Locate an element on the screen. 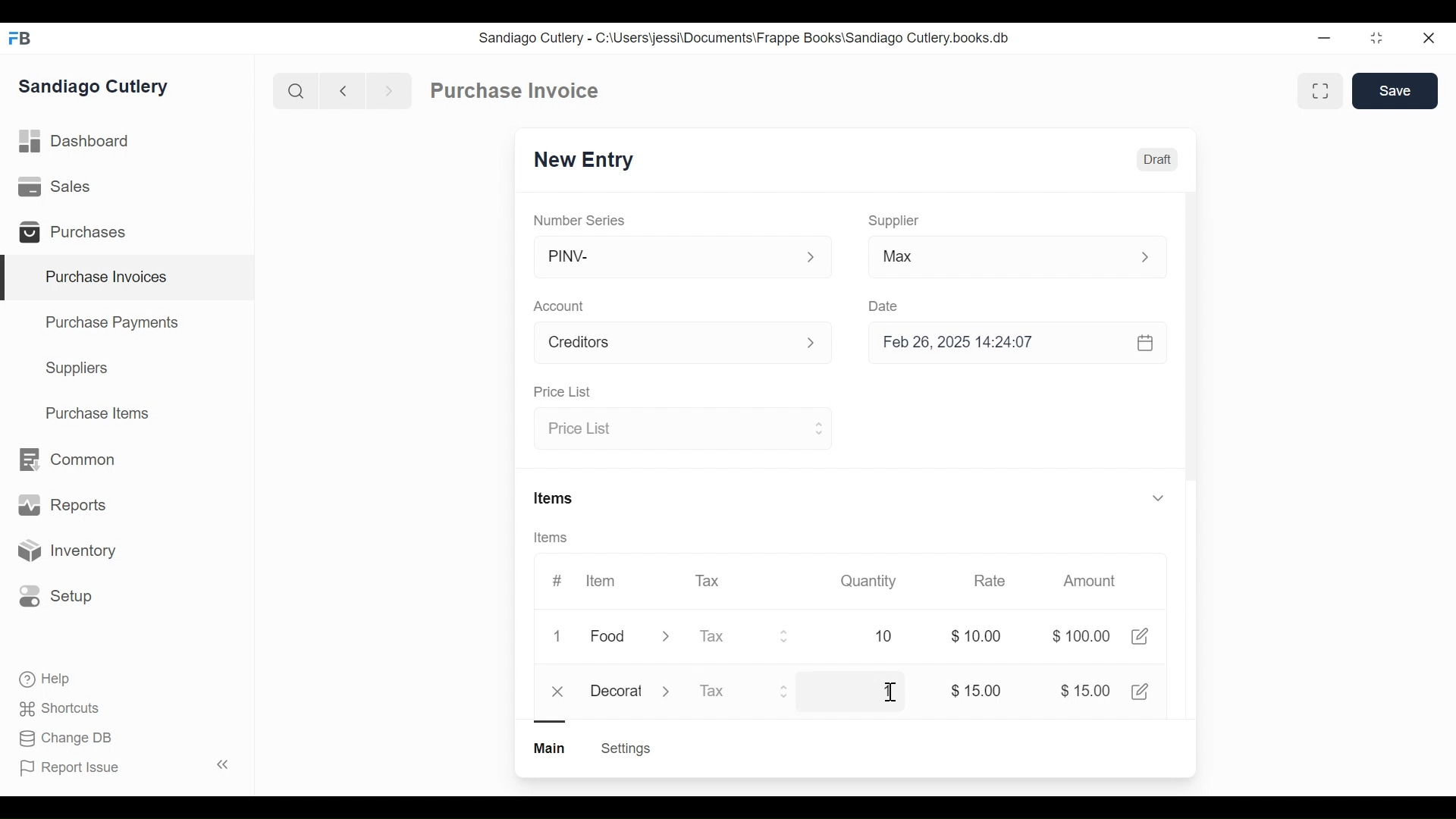 Image resolution: width=1456 pixels, height=819 pixels. Food is located at coordinates (610, 638).